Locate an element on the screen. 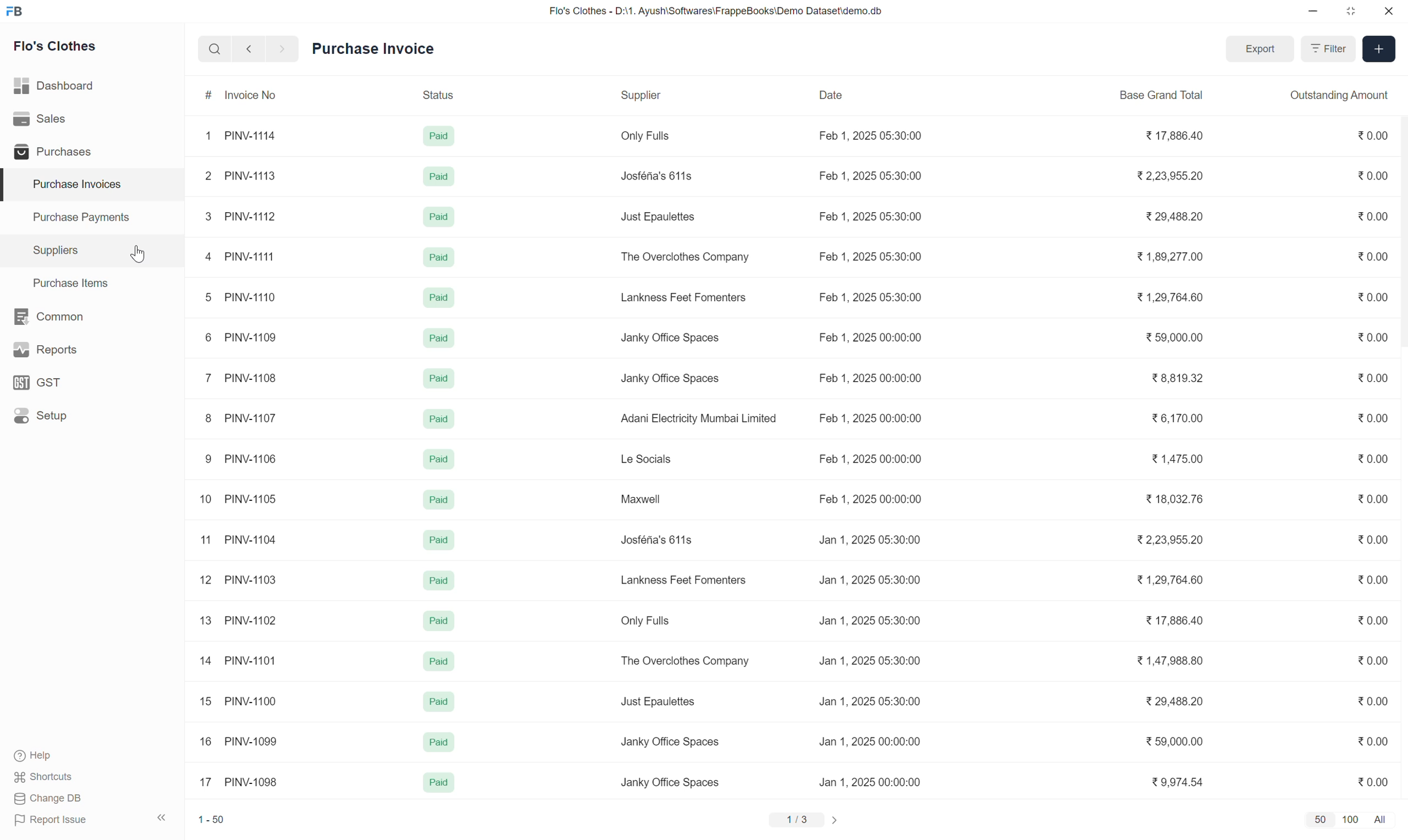  PINV-1104 is located at coordinates (249, 539).